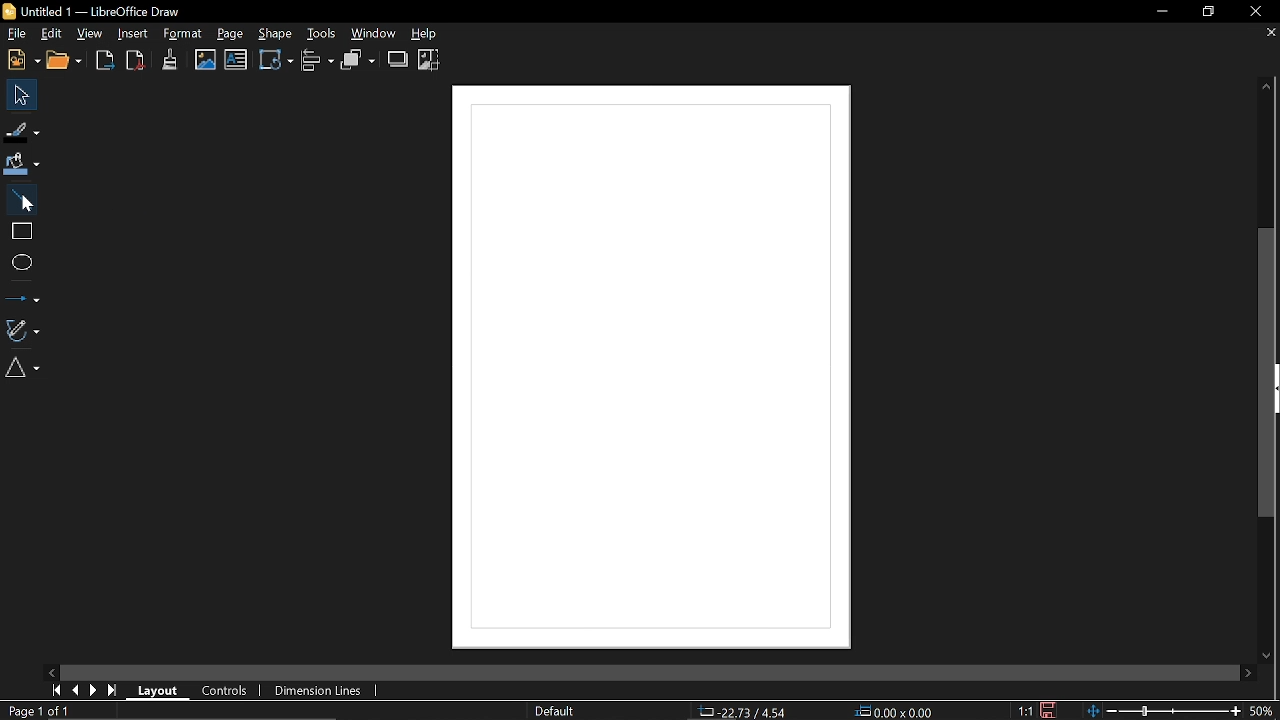 The image size is (1280, 720). I want to click on Lines and arrows, so click(22, 295).